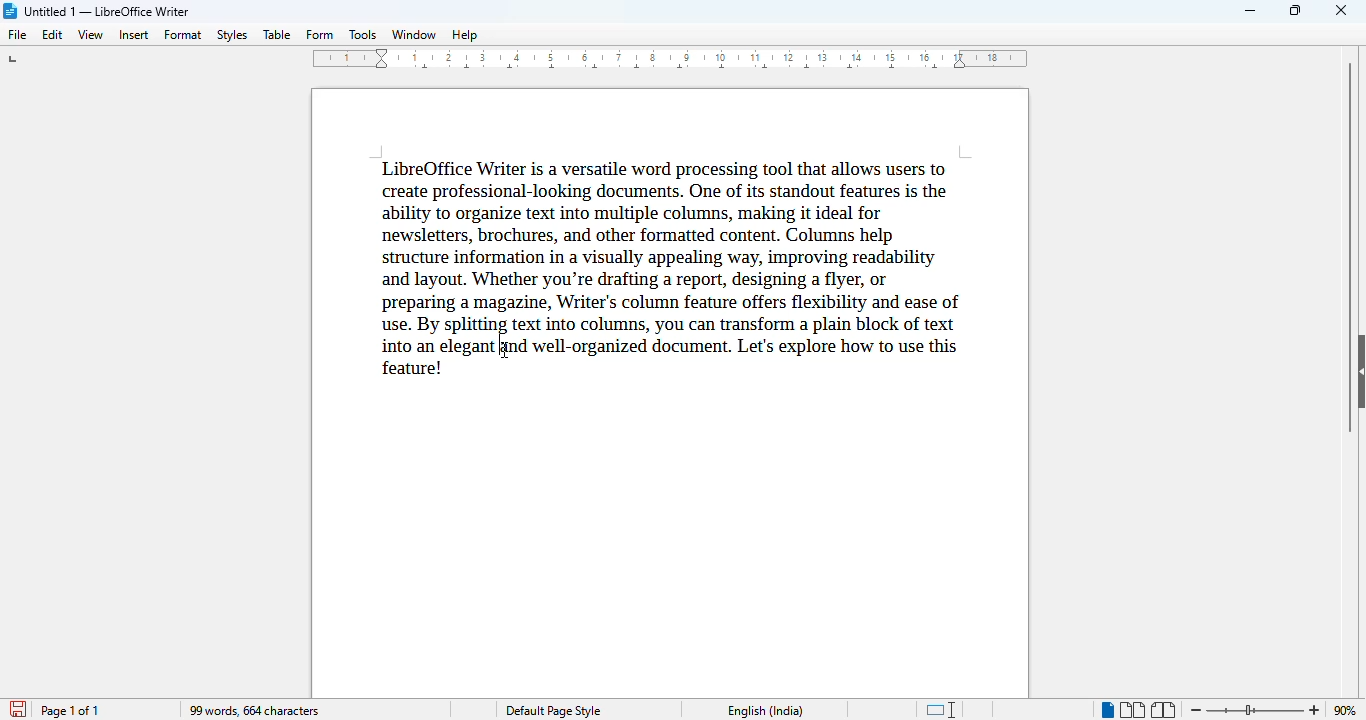 This screenshot has width=1366, height=720. I want to click on vertical scroll bar, so click(1350, 246).